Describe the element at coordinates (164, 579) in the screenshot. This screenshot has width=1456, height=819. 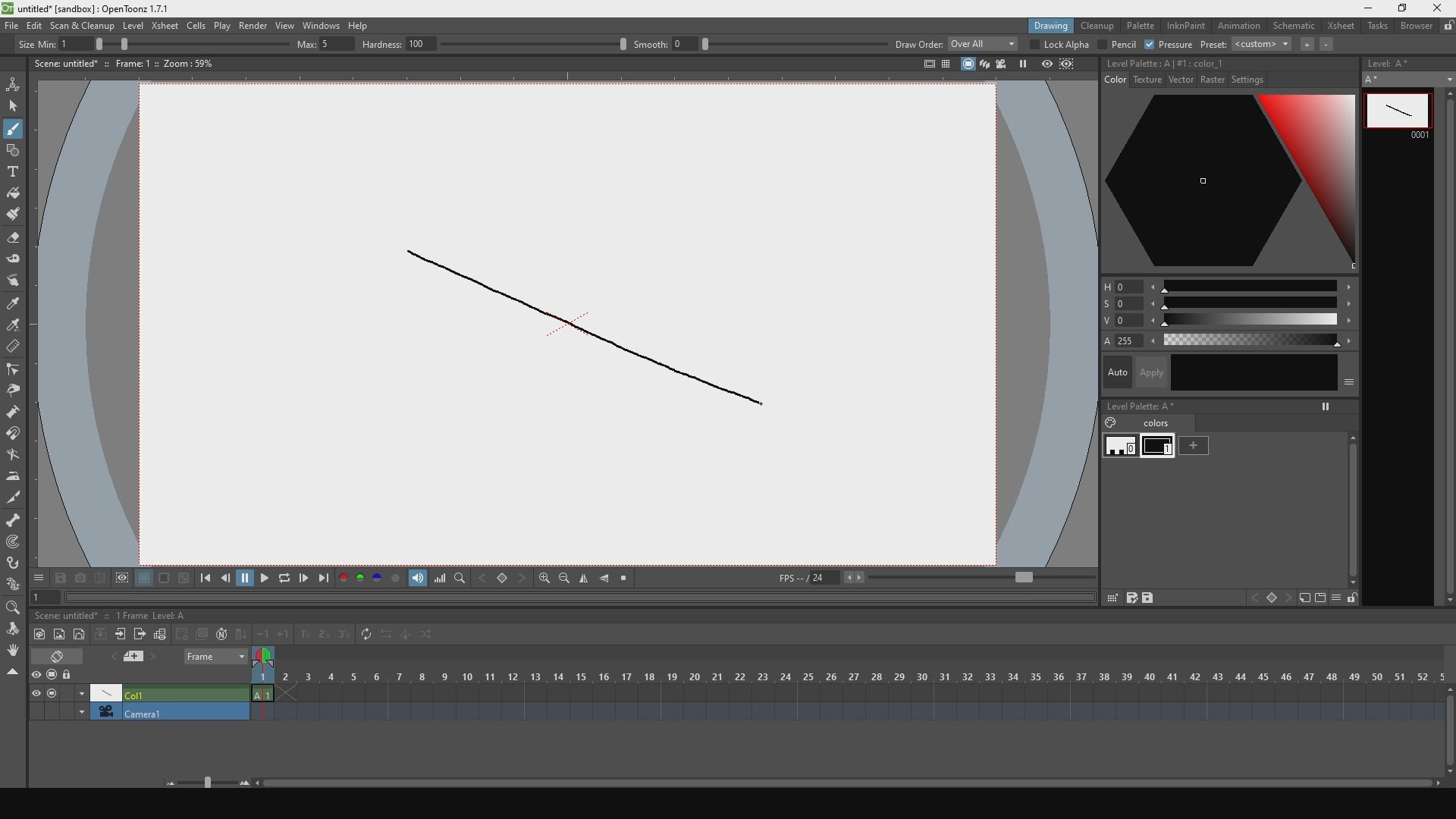
I see `black background` at that location.